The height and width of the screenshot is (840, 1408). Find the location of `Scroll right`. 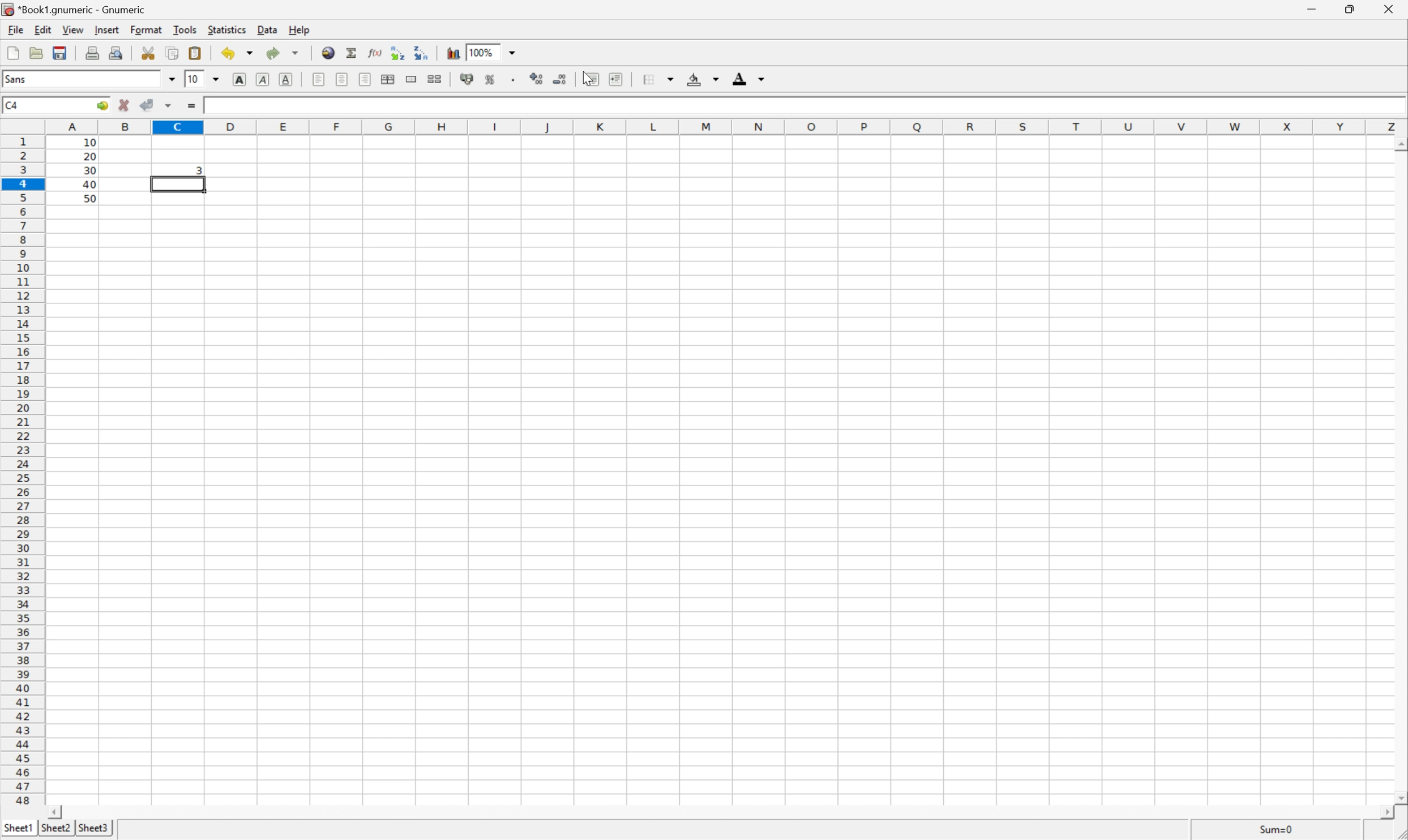

Scroll right is located at coordinates (1379, 812).